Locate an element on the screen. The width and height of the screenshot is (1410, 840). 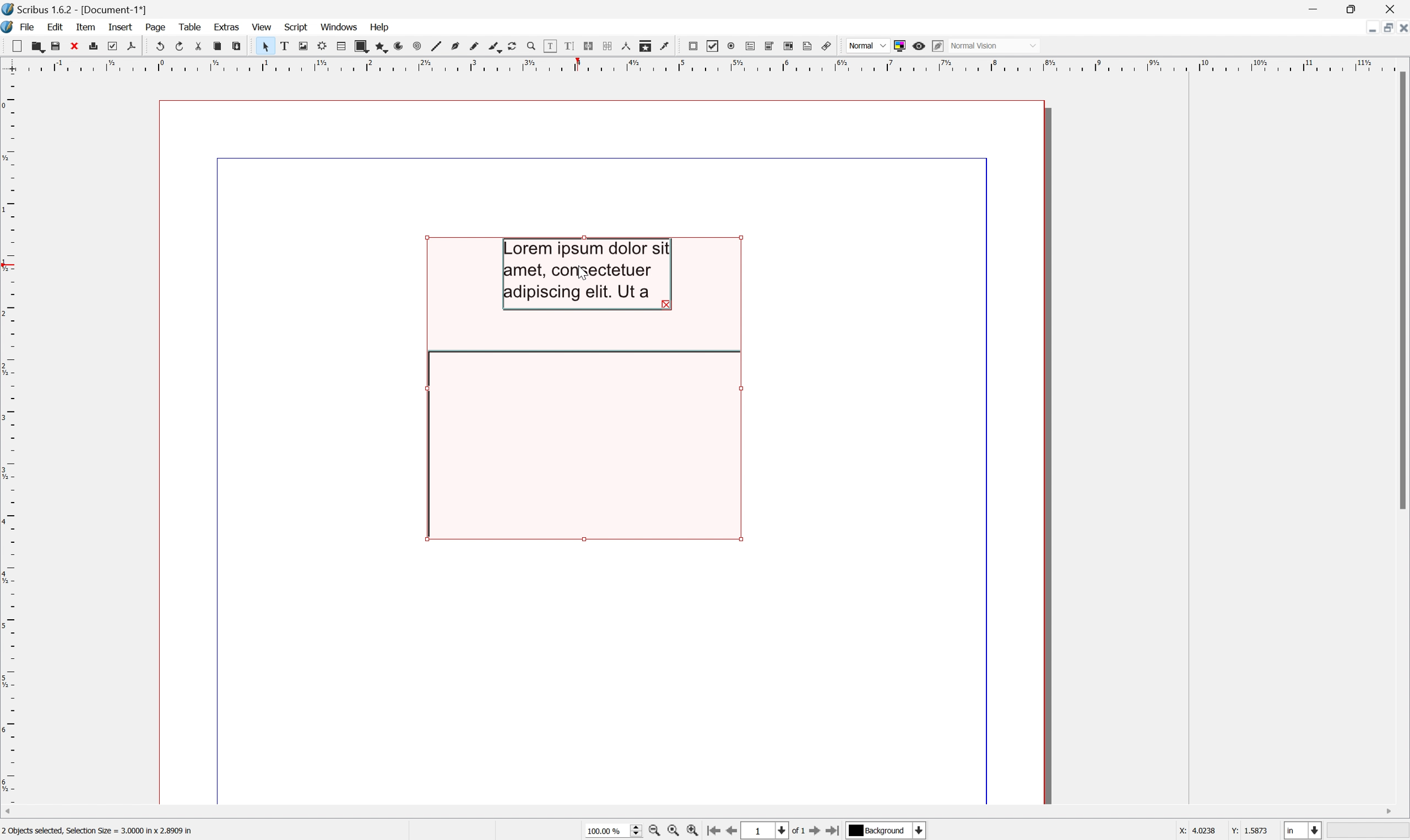
Polygon is located at coordinates (380, 44).